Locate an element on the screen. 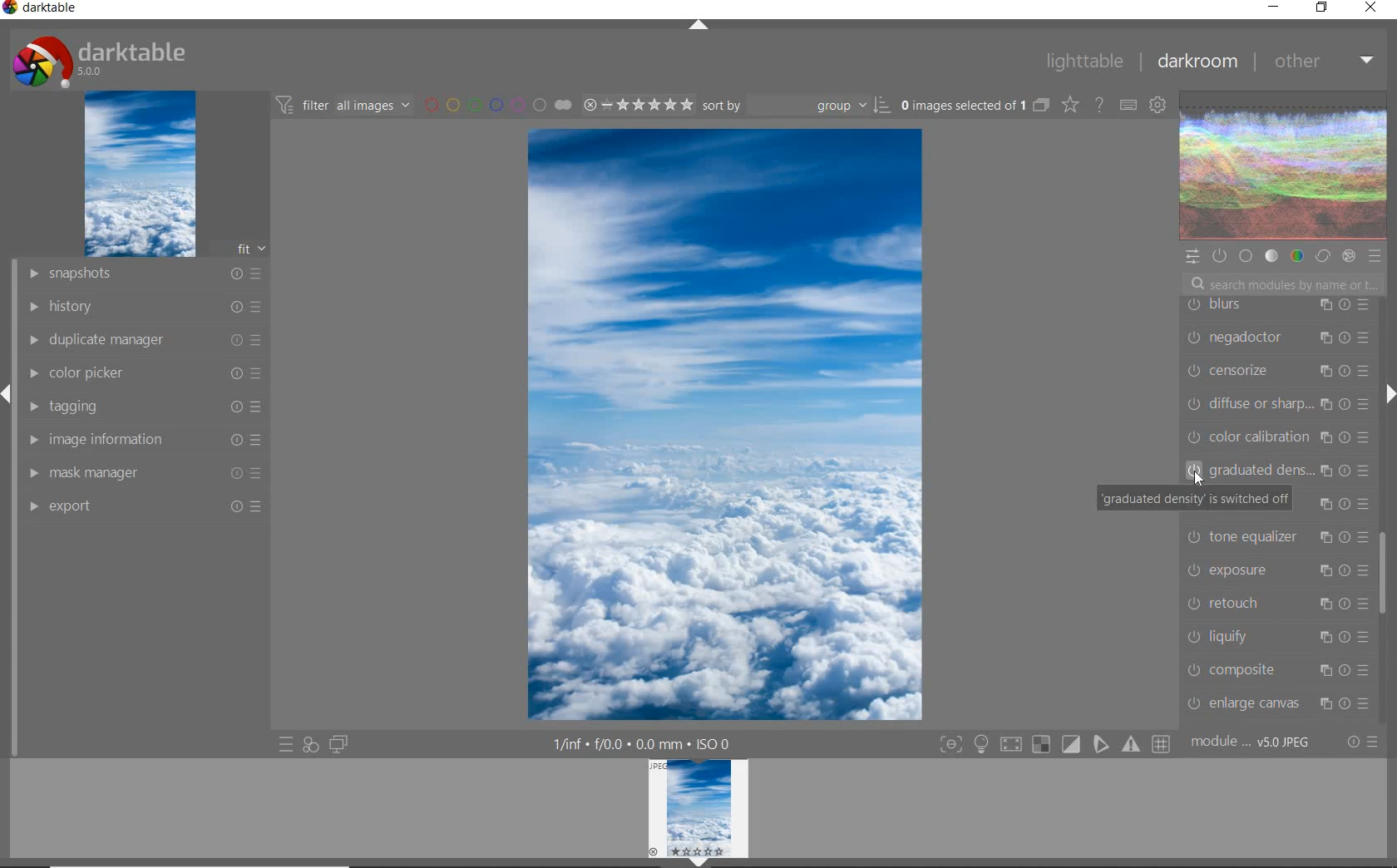 Image resolution: width=1397 pixels, height=868 pixels. HISTORY is located at coordinates (143, 305).